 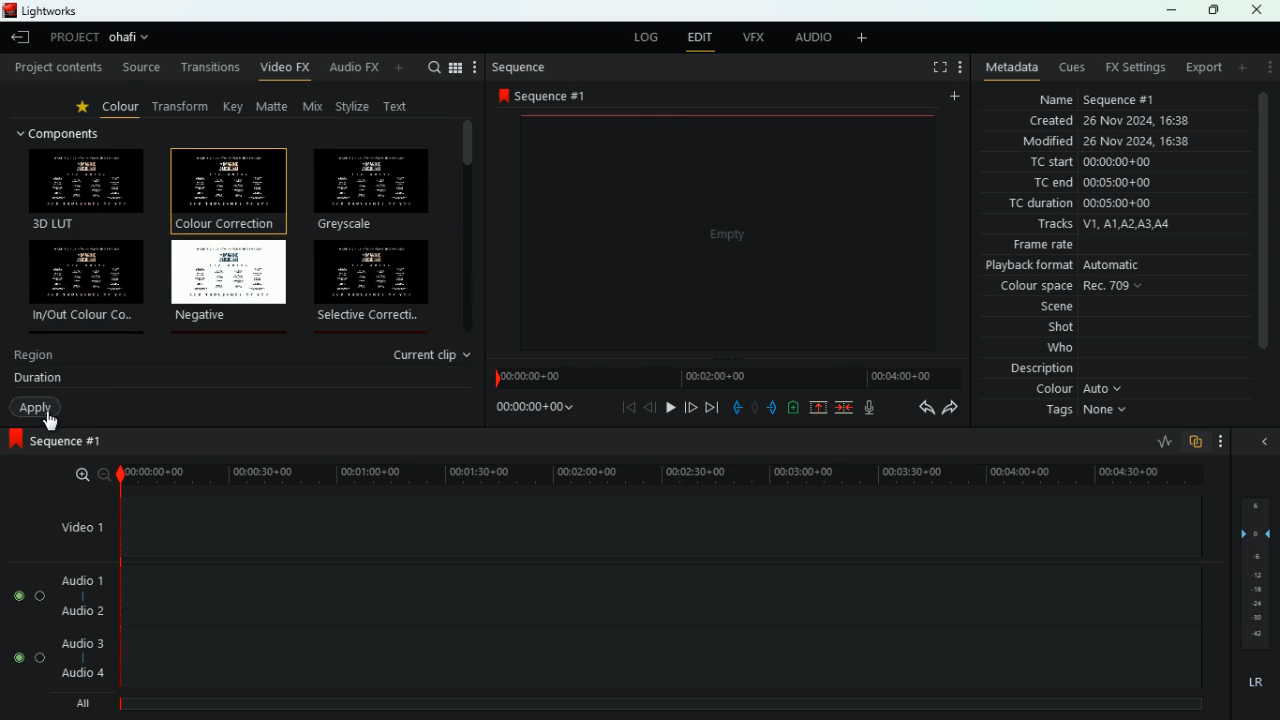 What do you see at coordinates (531, 410) in the screenshot?
I see `time` at bounding box center [531, 410].